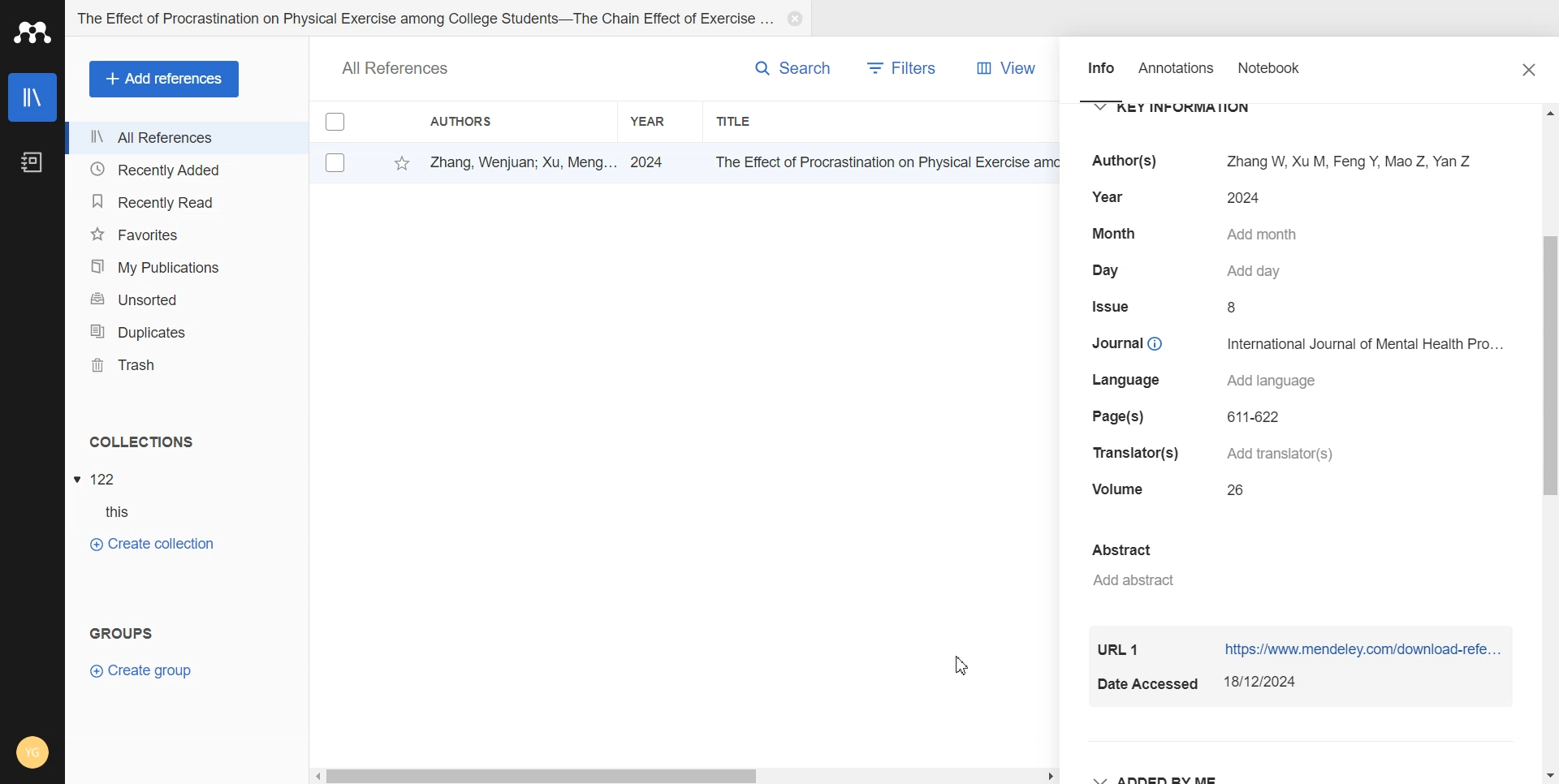  I want to click on Filters, so click(906, 67).